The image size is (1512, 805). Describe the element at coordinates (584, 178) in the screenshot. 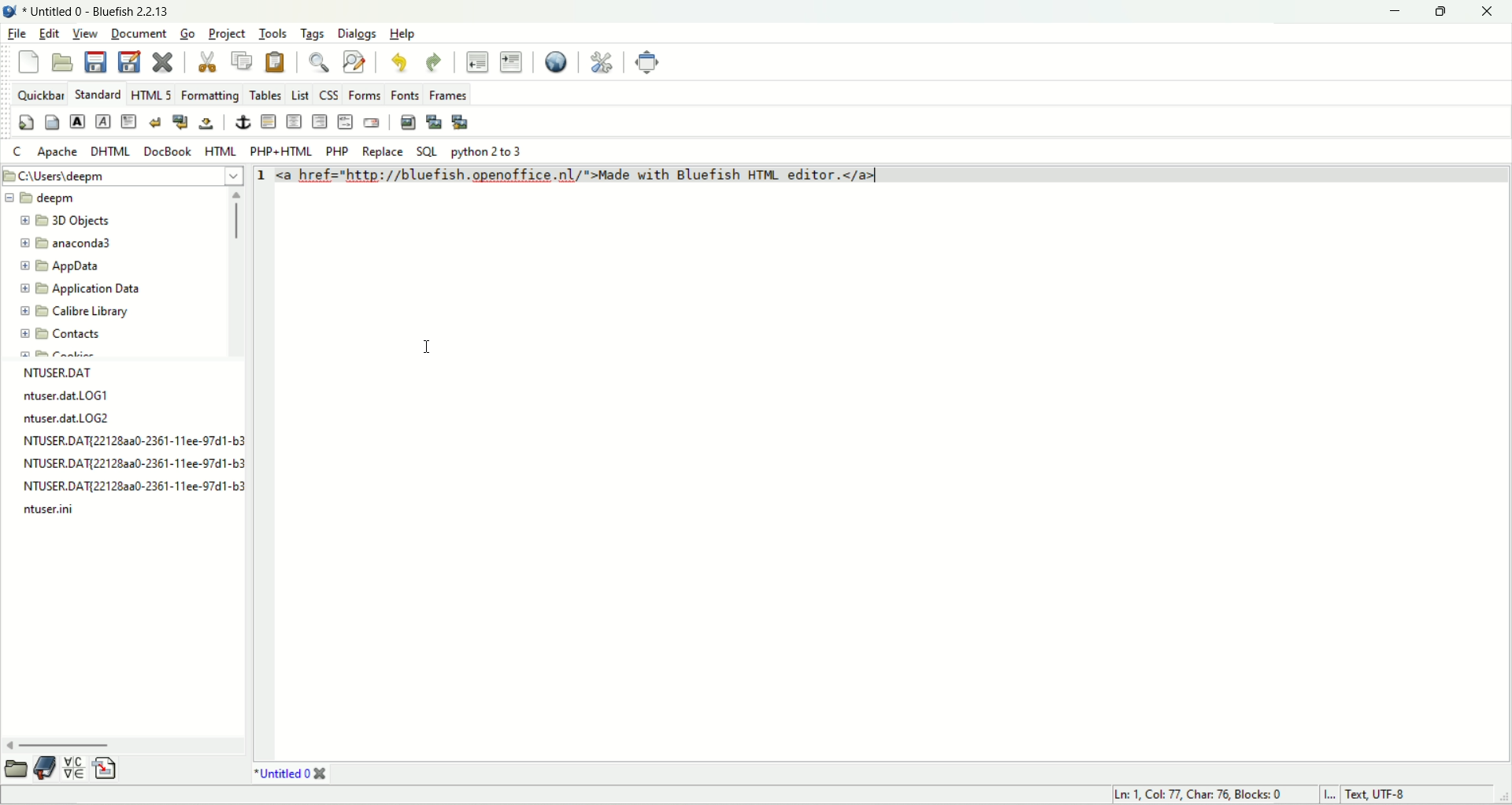

I see `code` at that location.